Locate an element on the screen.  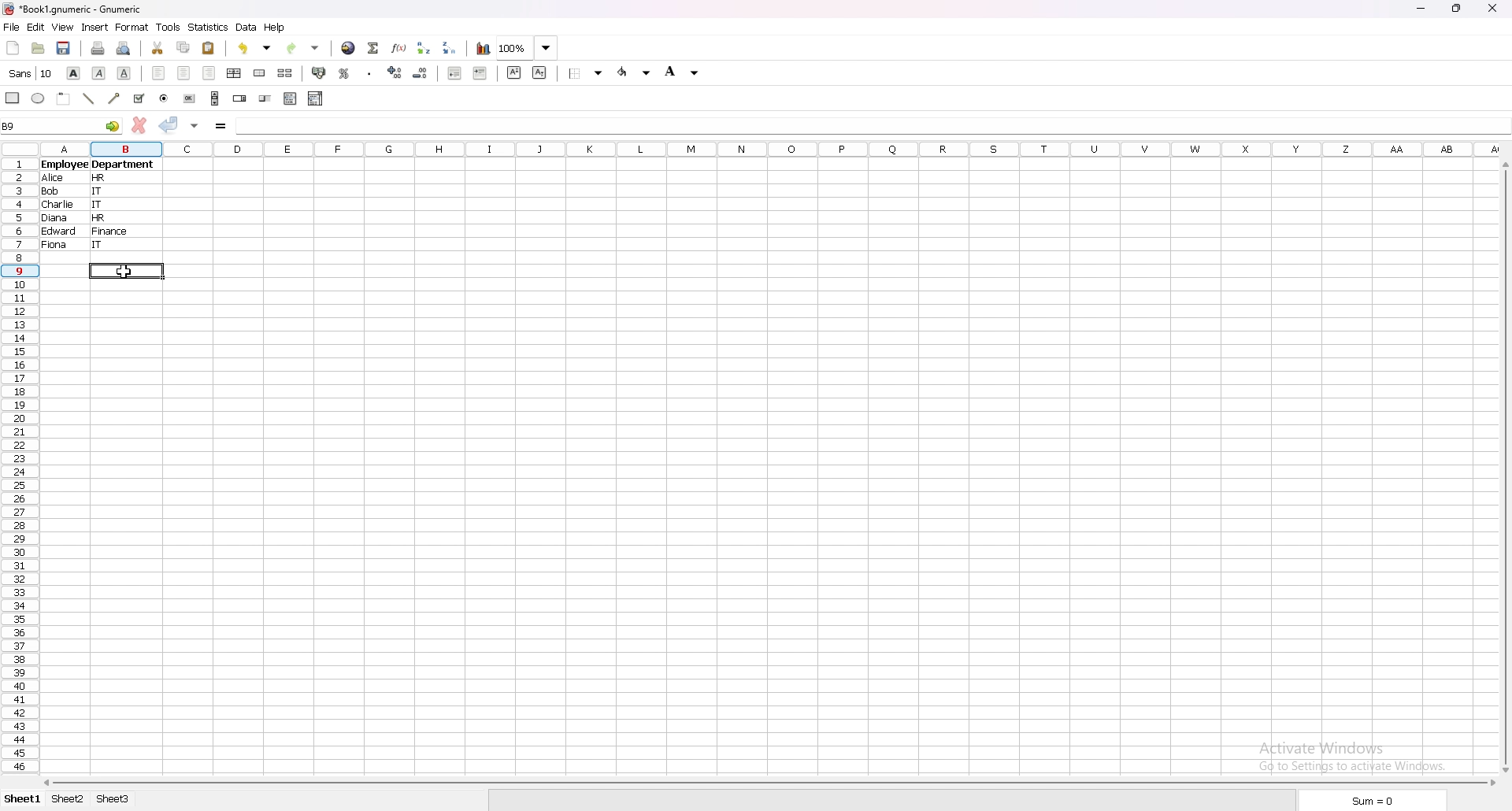
ellipse is located at coordinates (38, 98).